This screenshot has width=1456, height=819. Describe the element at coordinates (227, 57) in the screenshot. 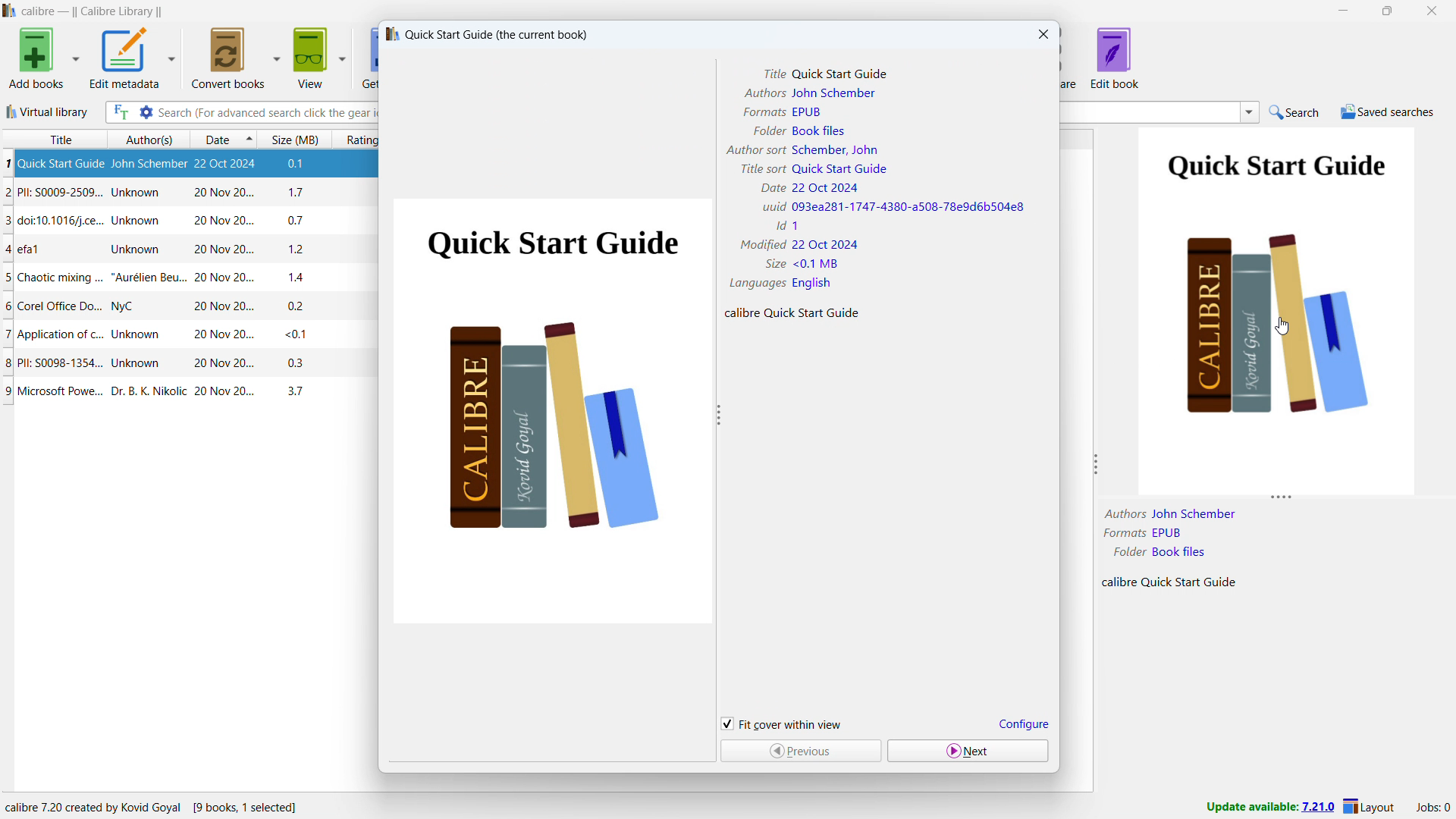

I see `convert books` at that location.